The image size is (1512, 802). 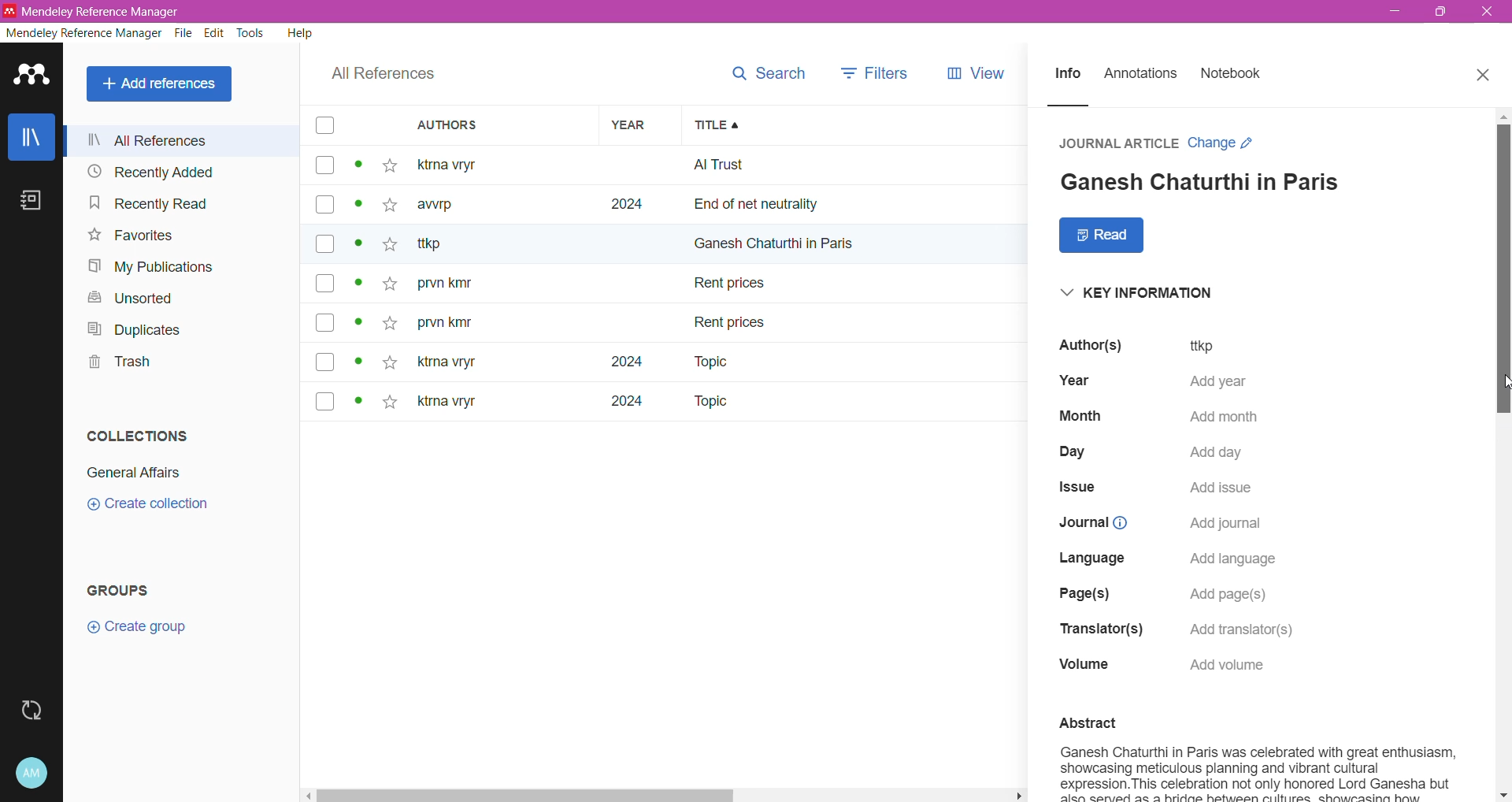 What do you see at coordinates (1236, 75) in the screenshot?
I see `Notebook` at bounding box center [1236, 75].